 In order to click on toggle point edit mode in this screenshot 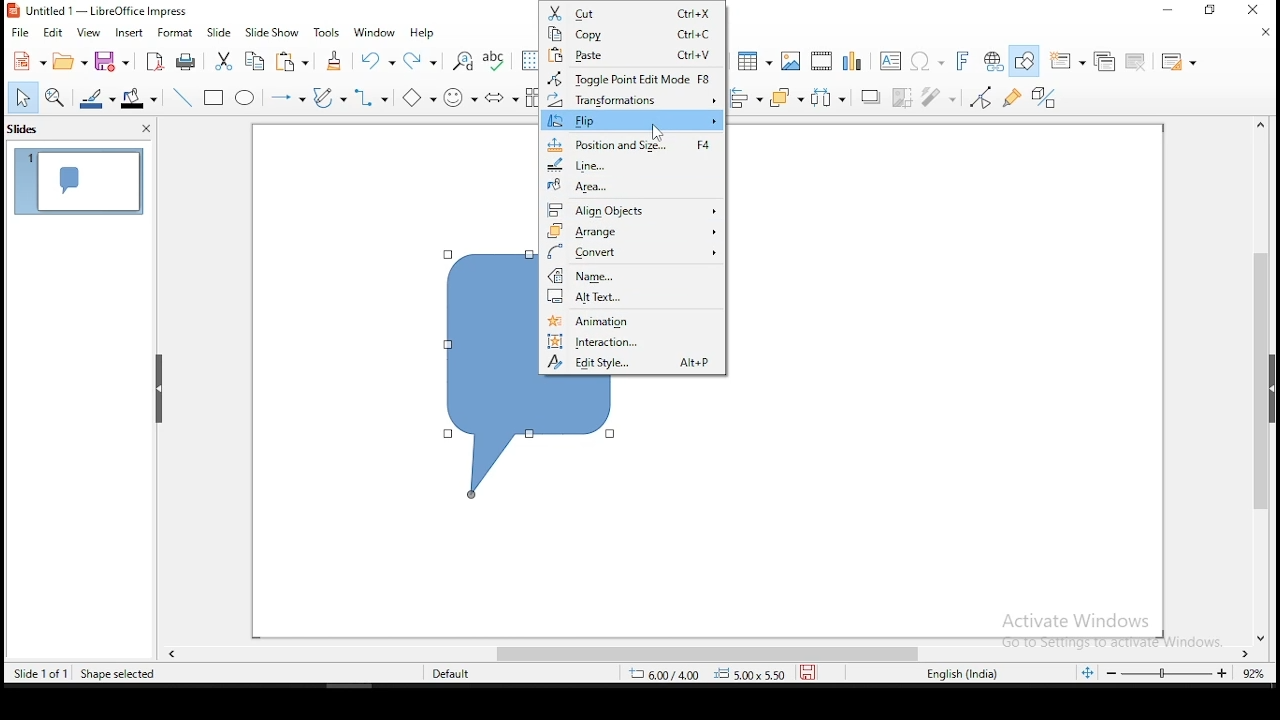, I will do `click(632, 79)`.